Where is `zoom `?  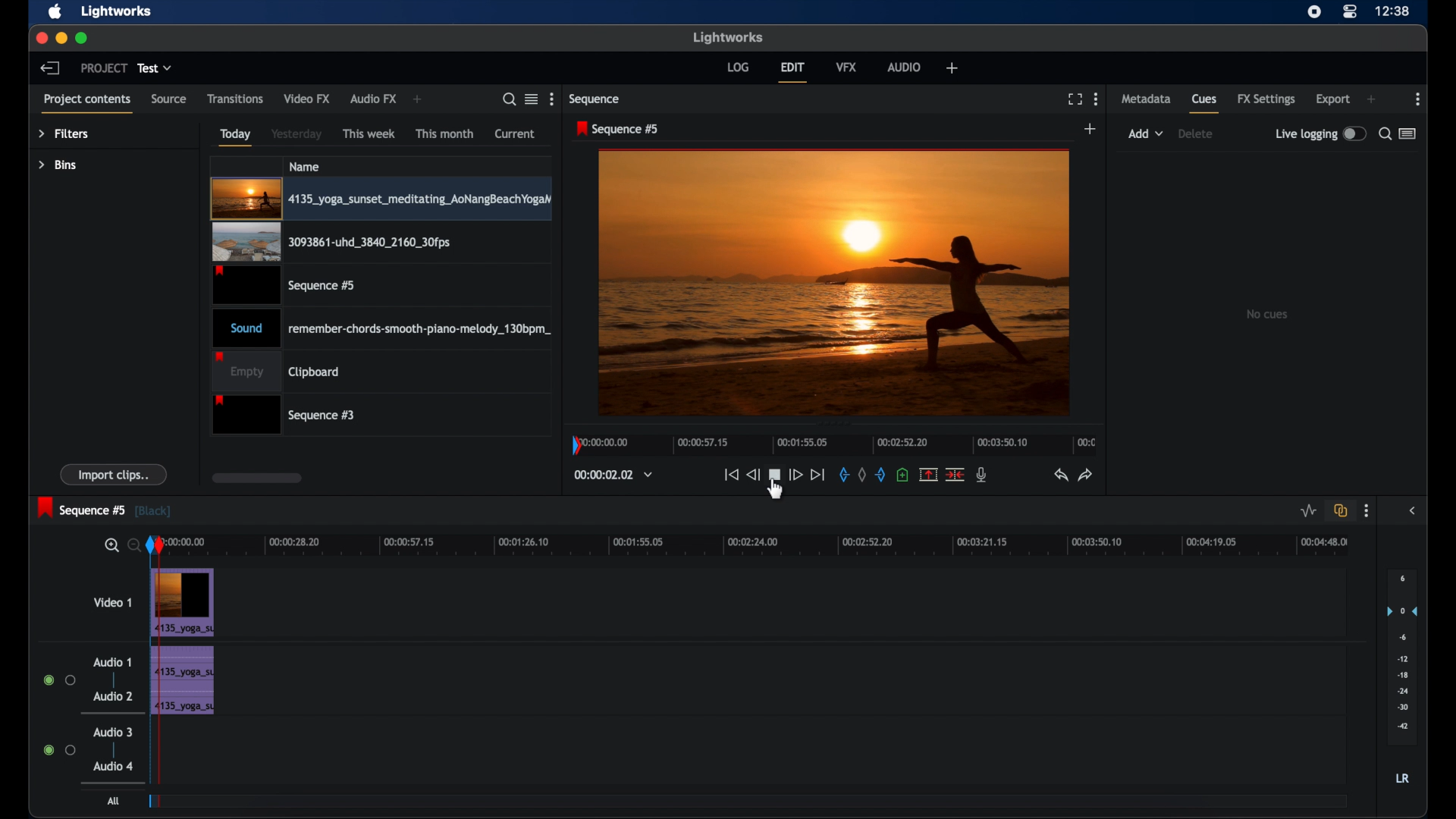
zoom  is located at coordinates (118, 544).